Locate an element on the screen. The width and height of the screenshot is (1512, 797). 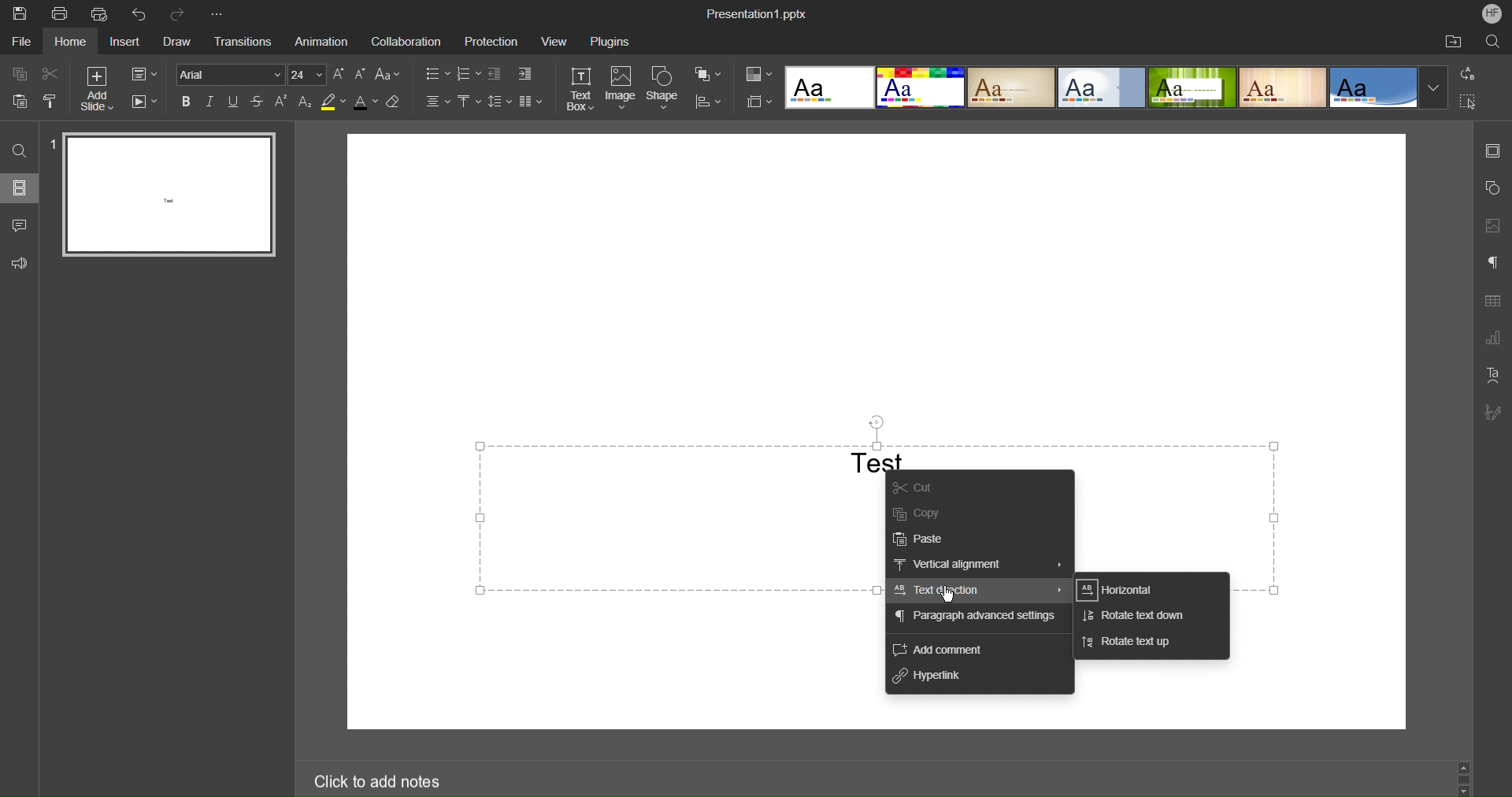
Font Size is located at coordinates (307, 75).